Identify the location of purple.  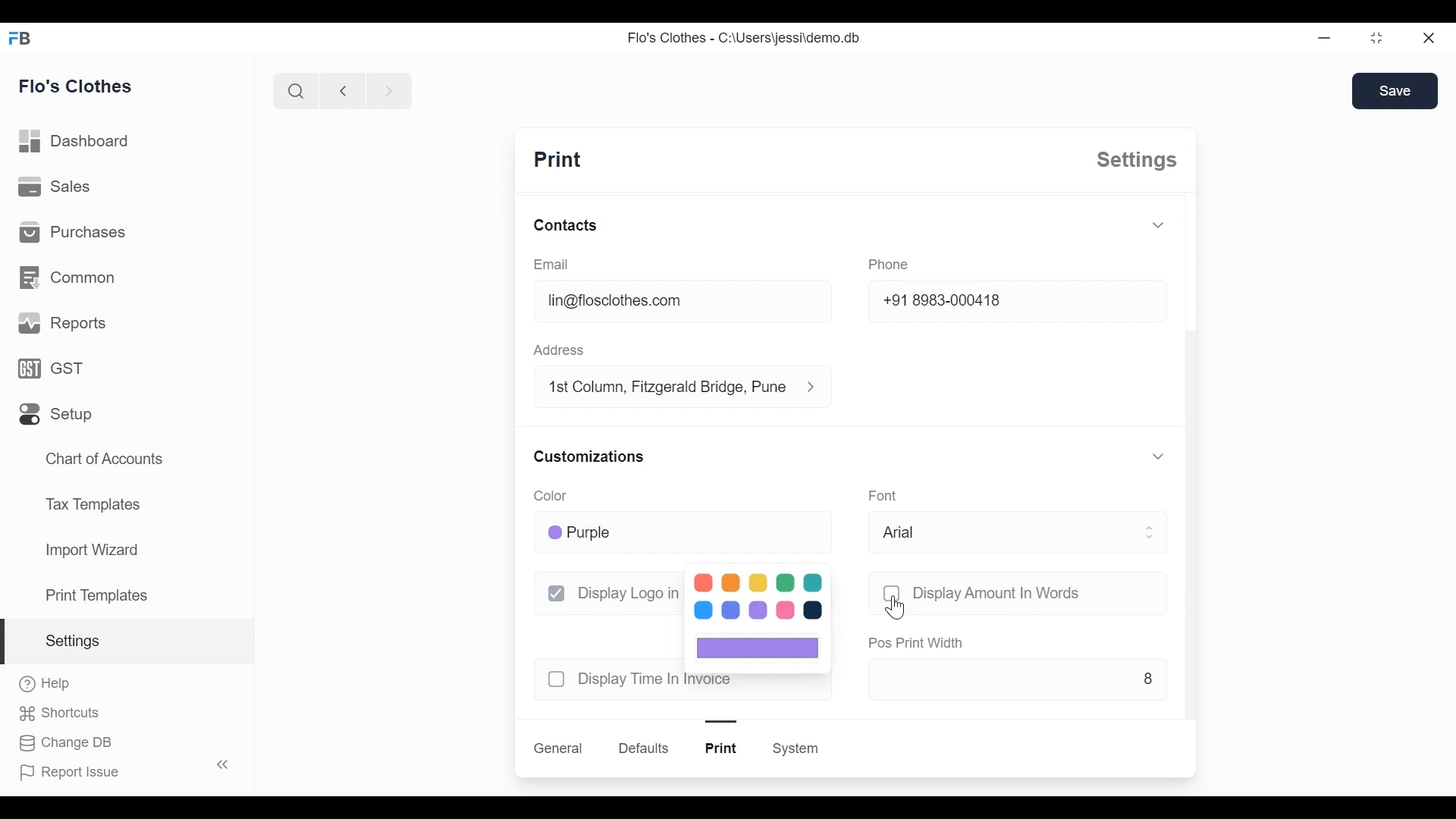
(686, 534).